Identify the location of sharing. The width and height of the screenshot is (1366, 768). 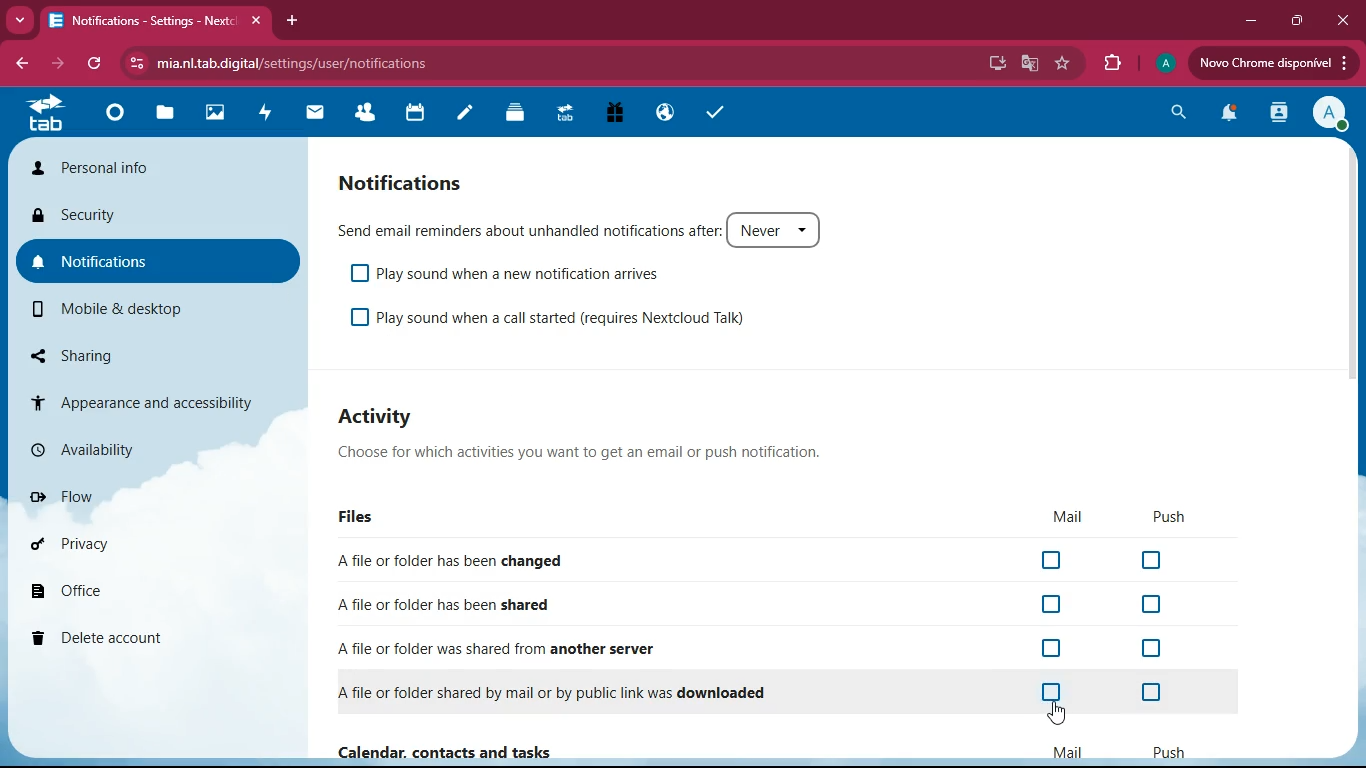
(140, 355).